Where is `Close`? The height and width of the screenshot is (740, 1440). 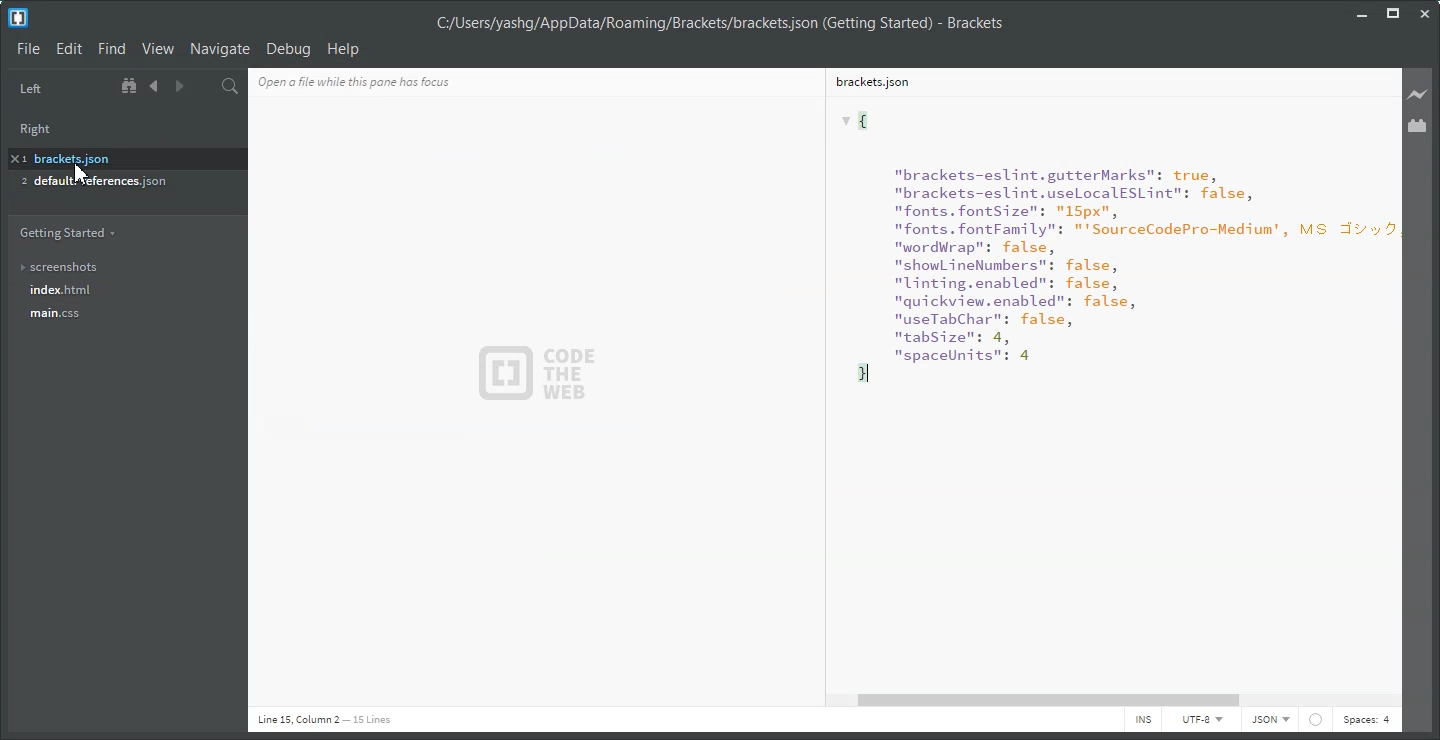 Close is located at coordinates (1424, 14).